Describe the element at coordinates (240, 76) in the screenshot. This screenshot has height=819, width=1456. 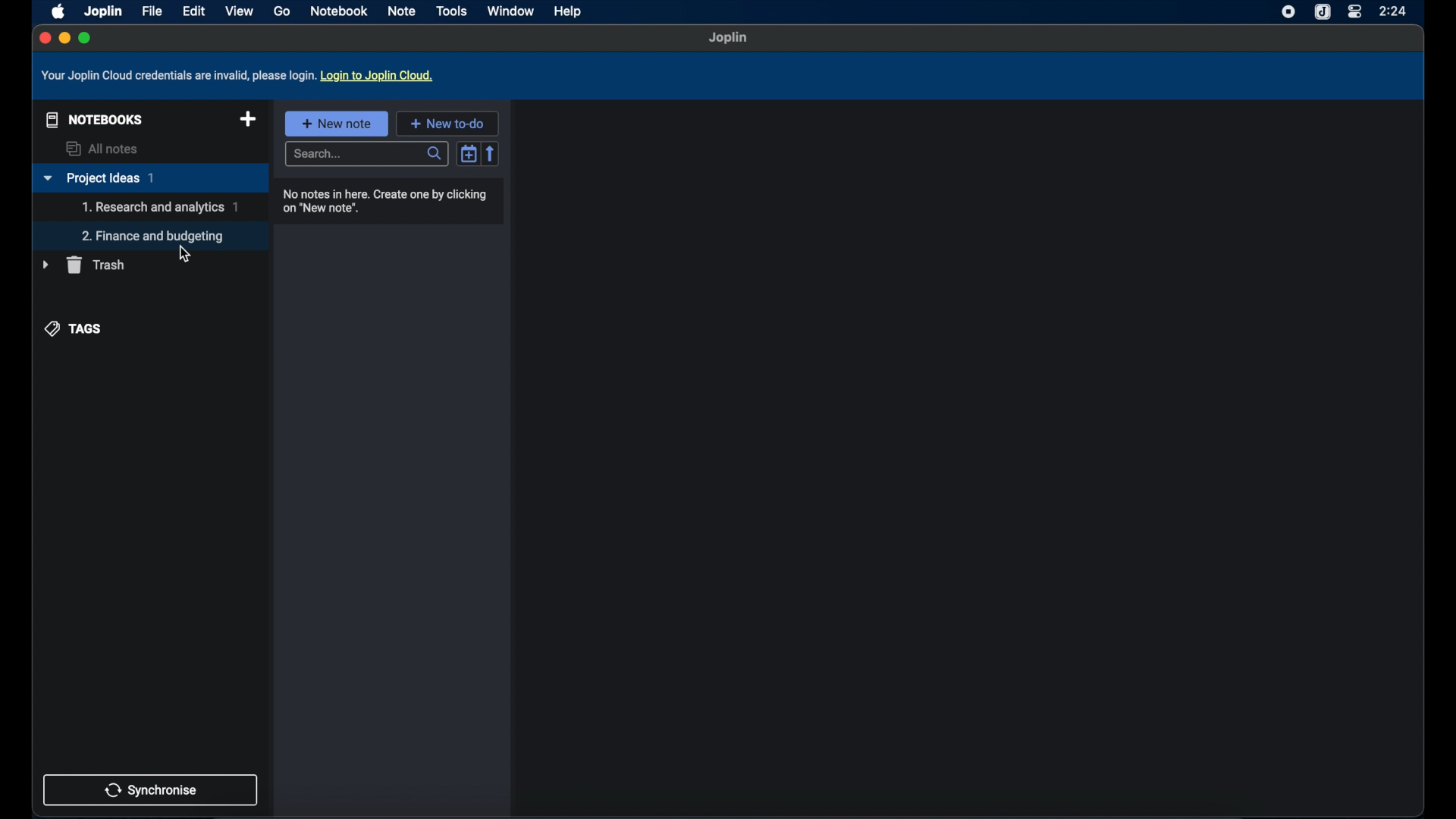
I see `your joplin cloud credentials are invalid, please log in.  log in to joplin cloud` at that location.